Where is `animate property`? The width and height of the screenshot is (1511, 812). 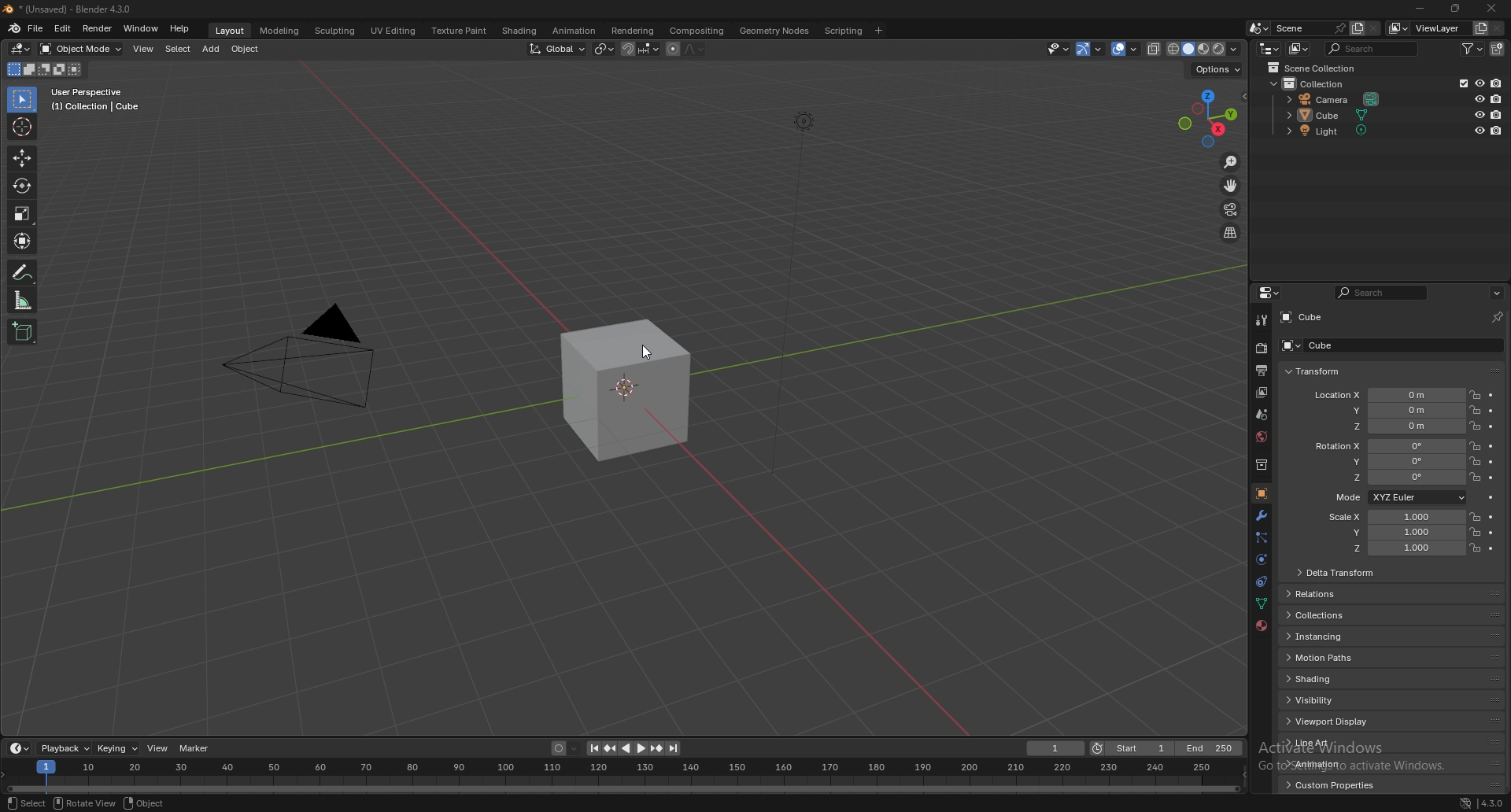 animate property is located at coordinates (1492, 478).